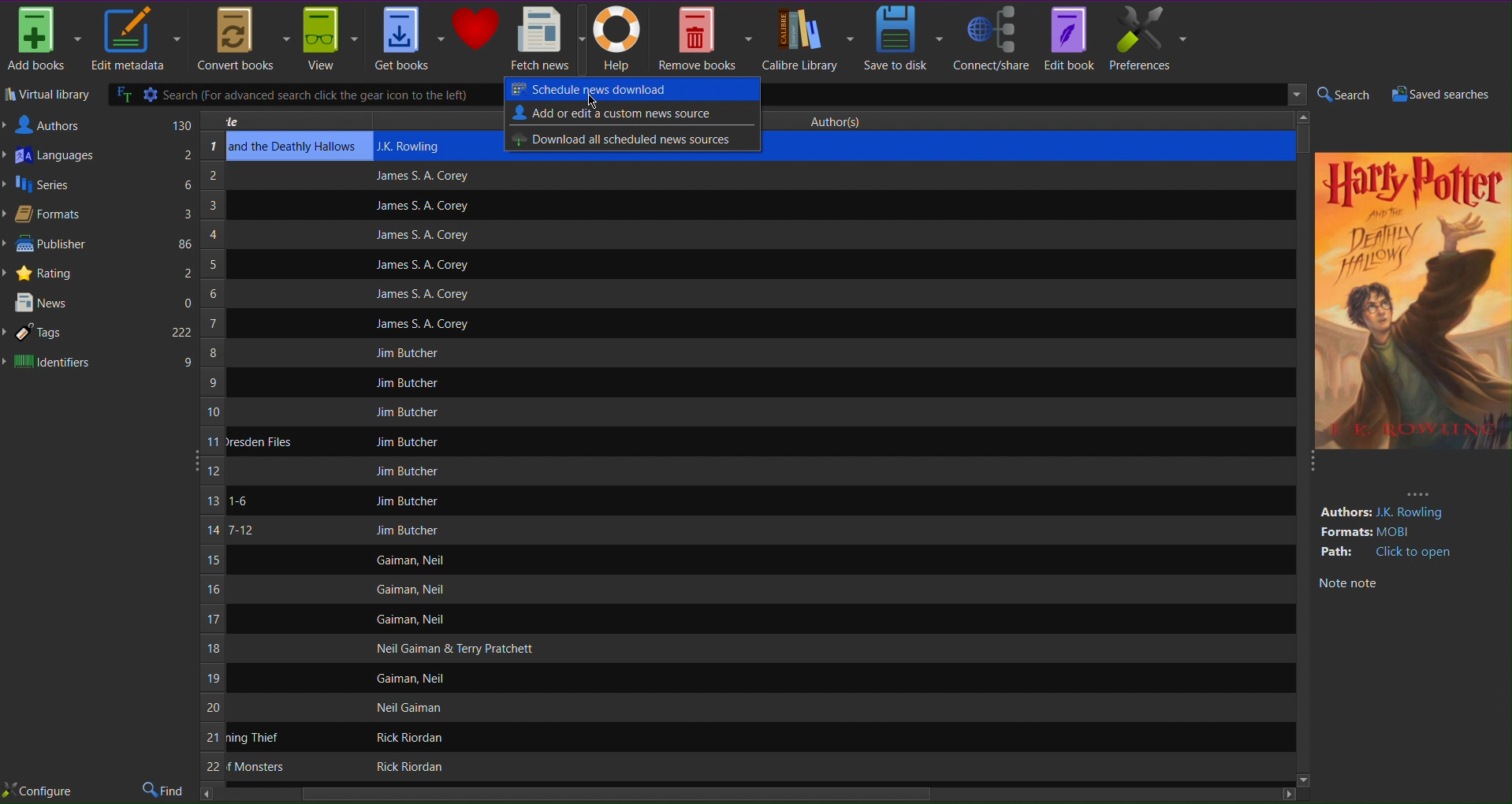 The width and height of the screenshot is (1512, 804). What do you see at coordinates (100, 303) in the screenshot?
I see `News` at bounding box center [100, 303].